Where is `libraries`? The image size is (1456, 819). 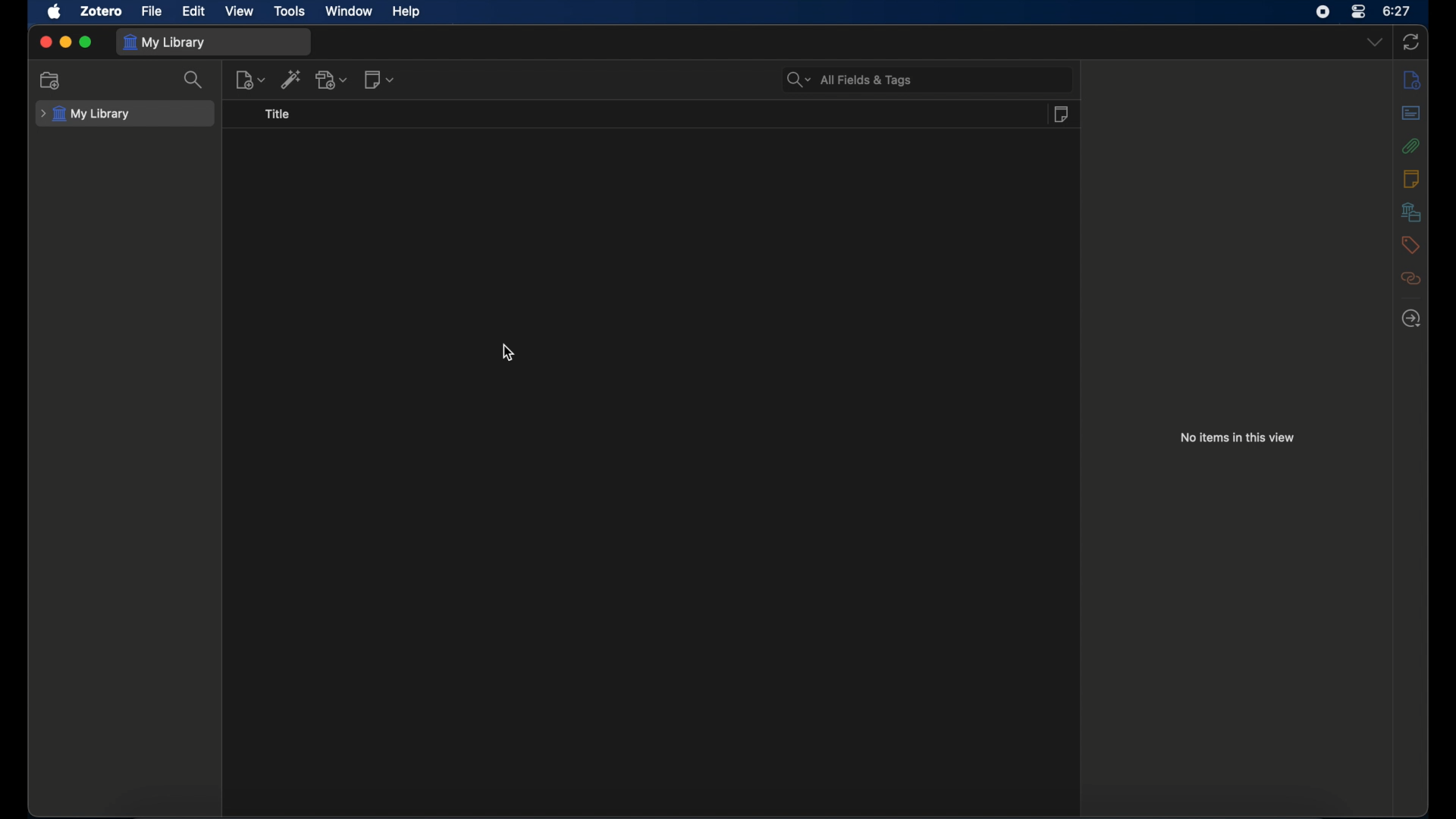 libraries is located at coordinates (1410, 212).